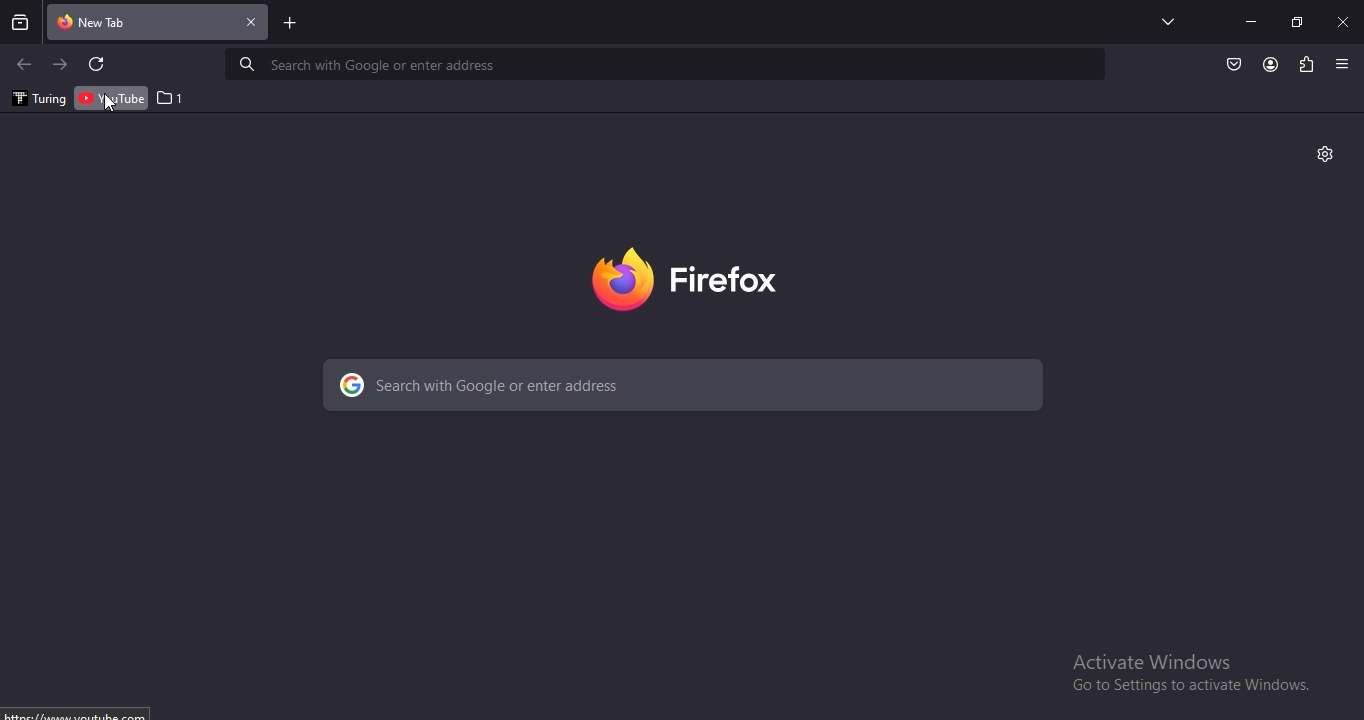 The width and height of the screenshot is (1364, 720). I want to click on minimize, so click(1251, 22).